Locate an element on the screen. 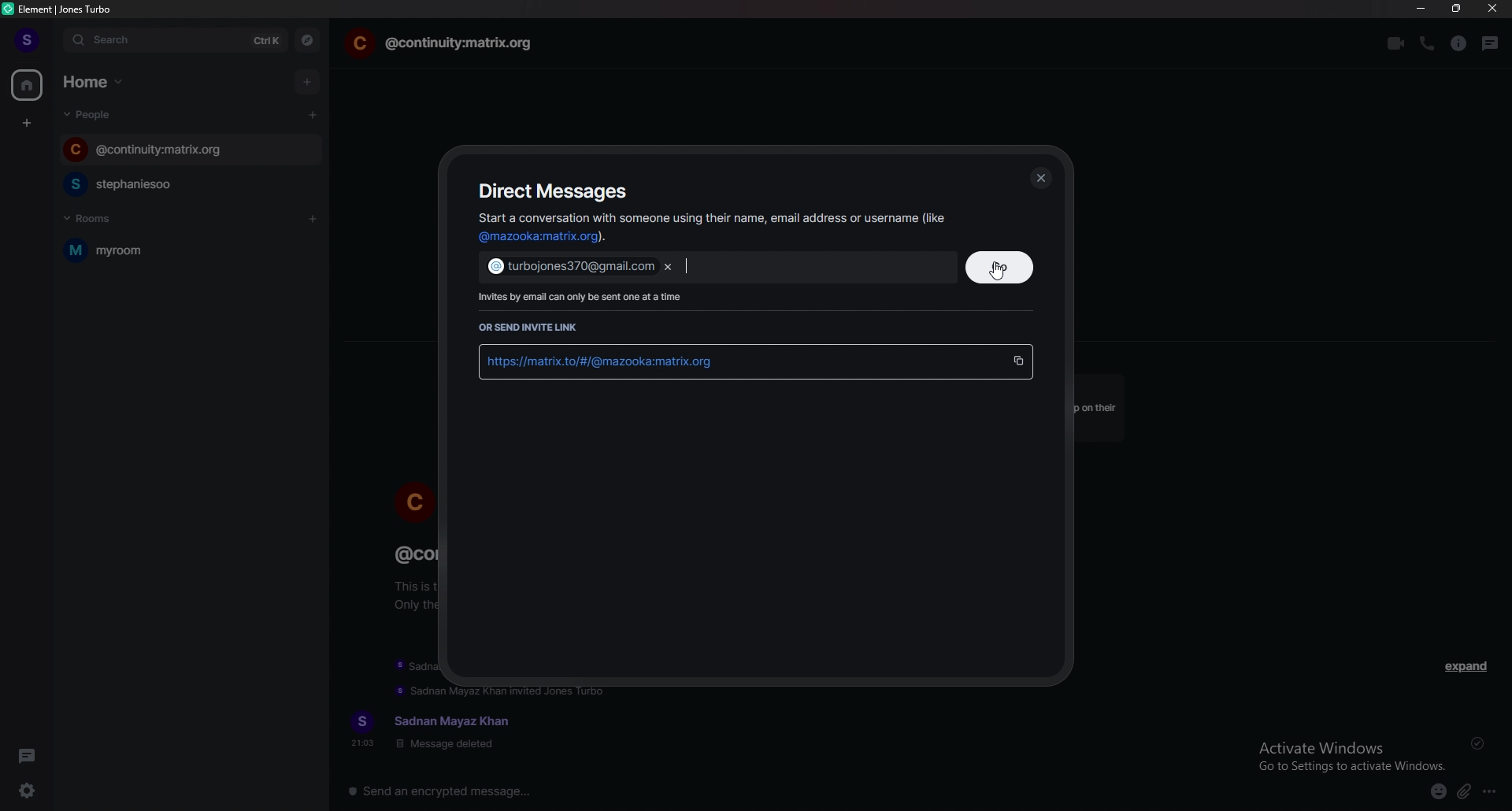 This screenshot has height=811, width=1512. cursor is located at coordinates (996, 269).